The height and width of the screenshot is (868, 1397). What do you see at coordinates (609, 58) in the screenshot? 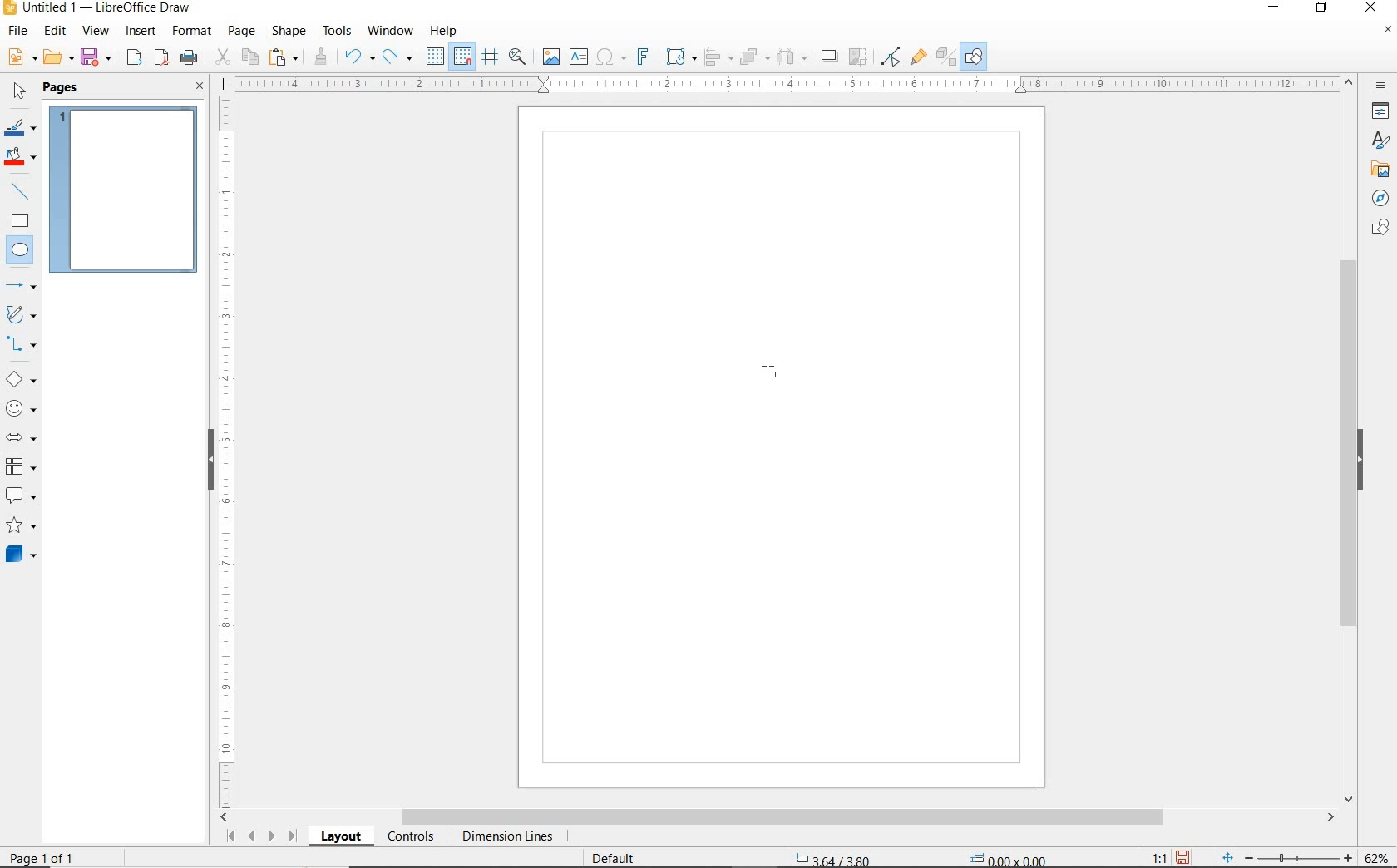
I see `INSERT SPECIAL CHARACTERS` at bounding box center [609, 58].